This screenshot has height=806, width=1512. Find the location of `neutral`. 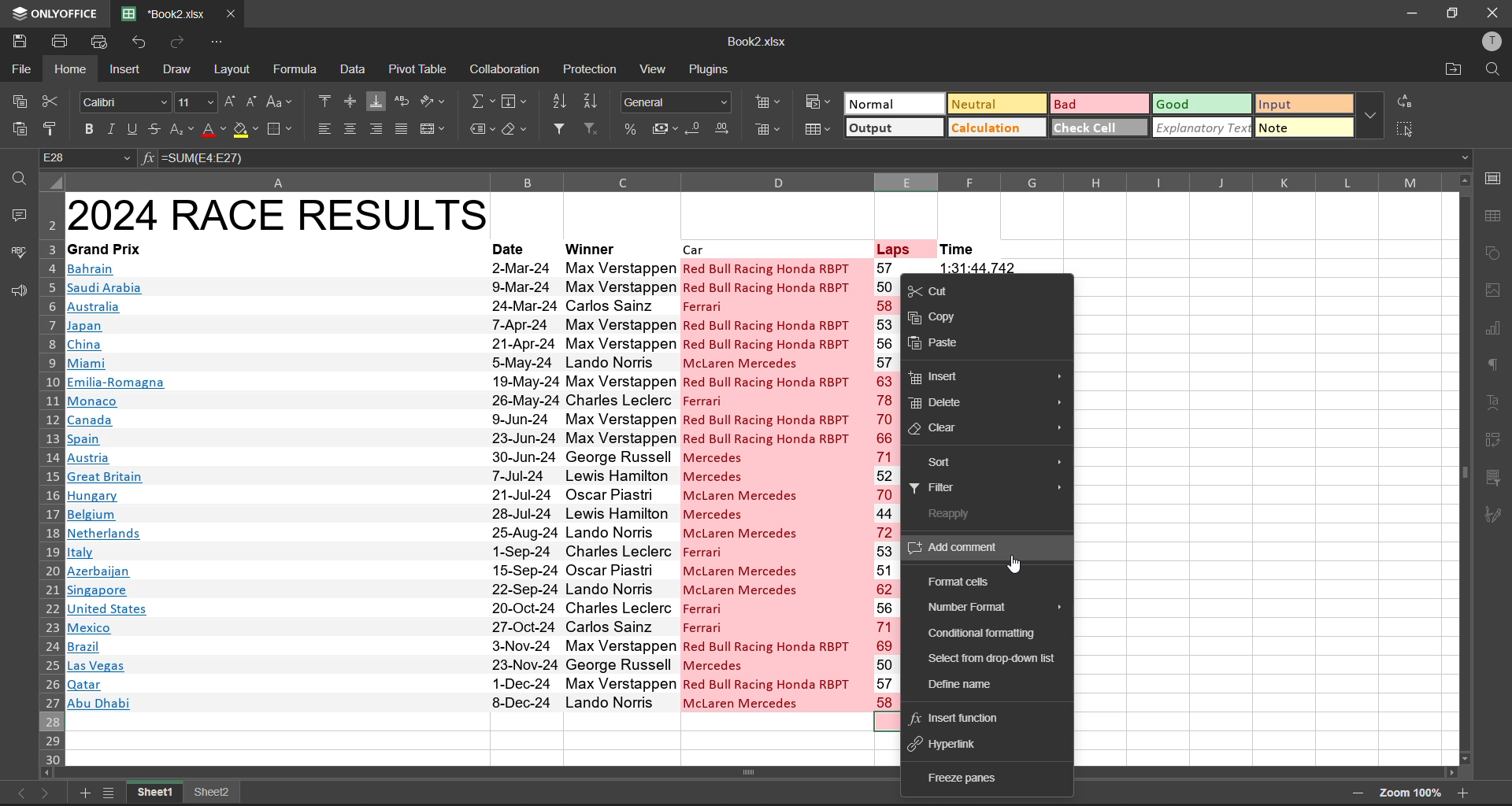

neutral is located at coordinates (993, 105).